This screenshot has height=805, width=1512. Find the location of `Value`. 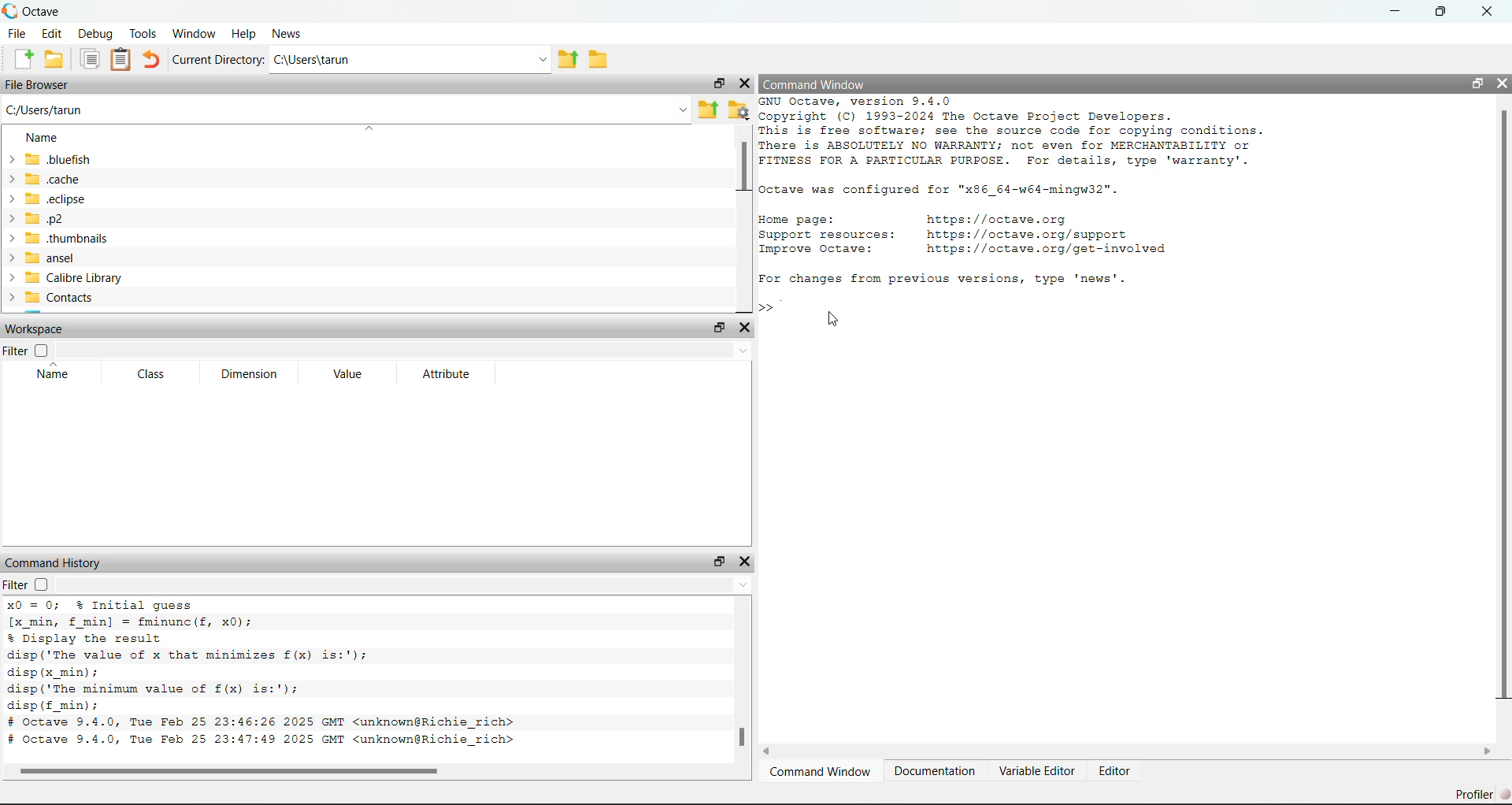

Value is located at coordinates (353, 376).